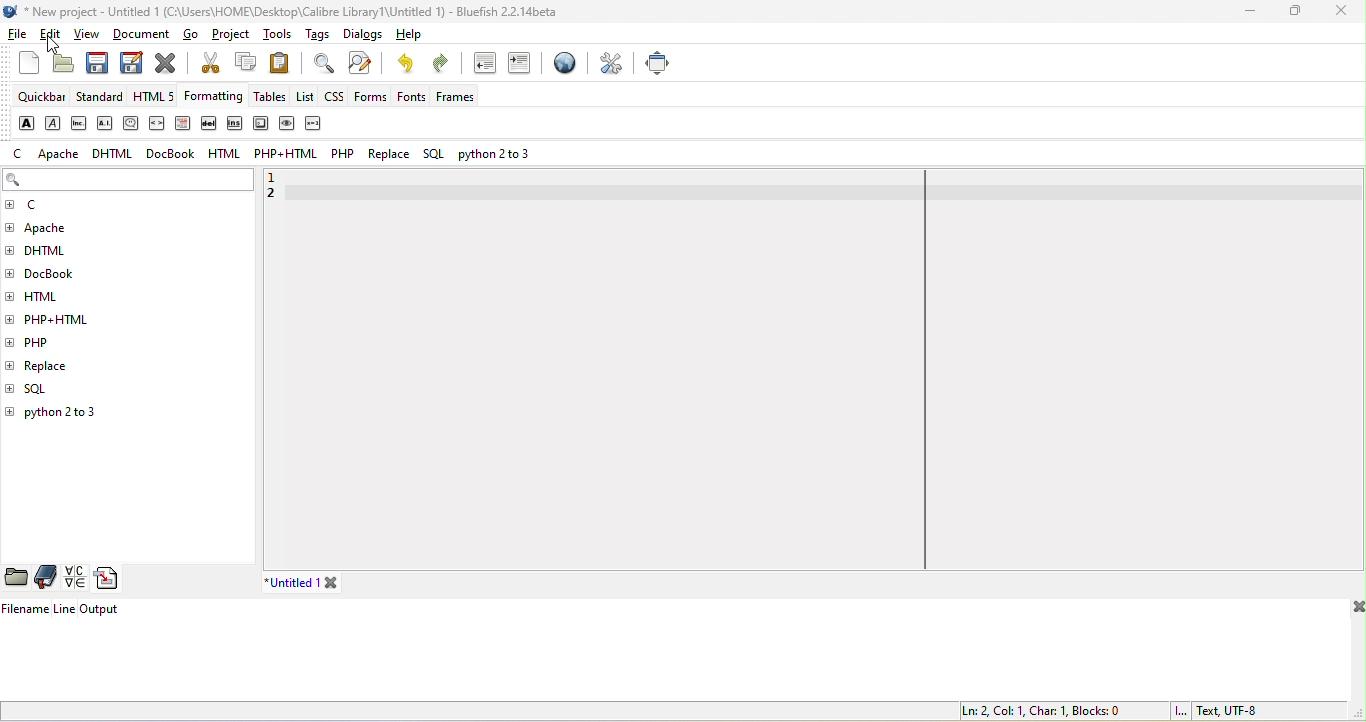 This screenshot has width=1366, height=722. I want to click on help, so click(405, 37).